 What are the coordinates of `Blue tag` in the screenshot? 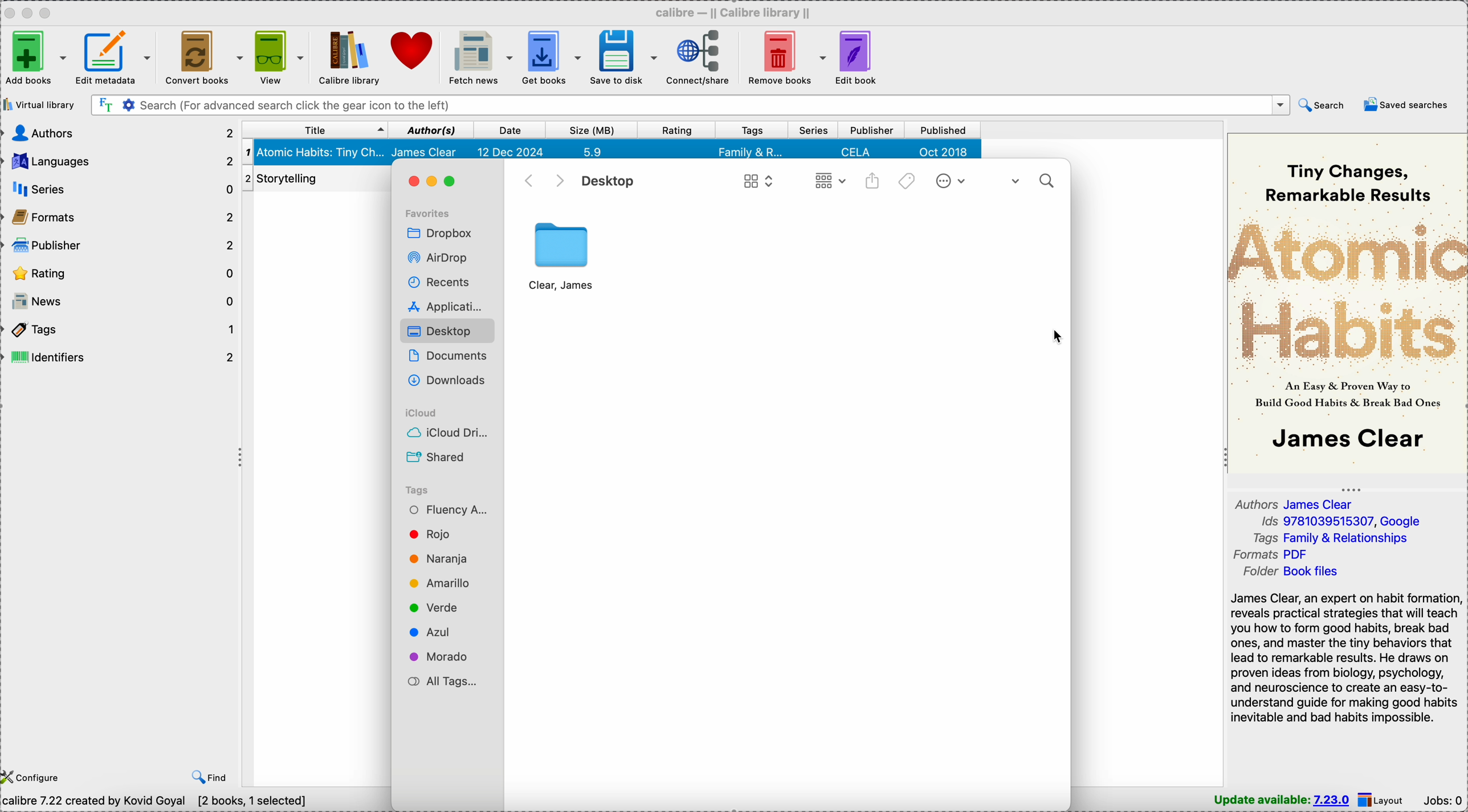 It's located at (434, 631).